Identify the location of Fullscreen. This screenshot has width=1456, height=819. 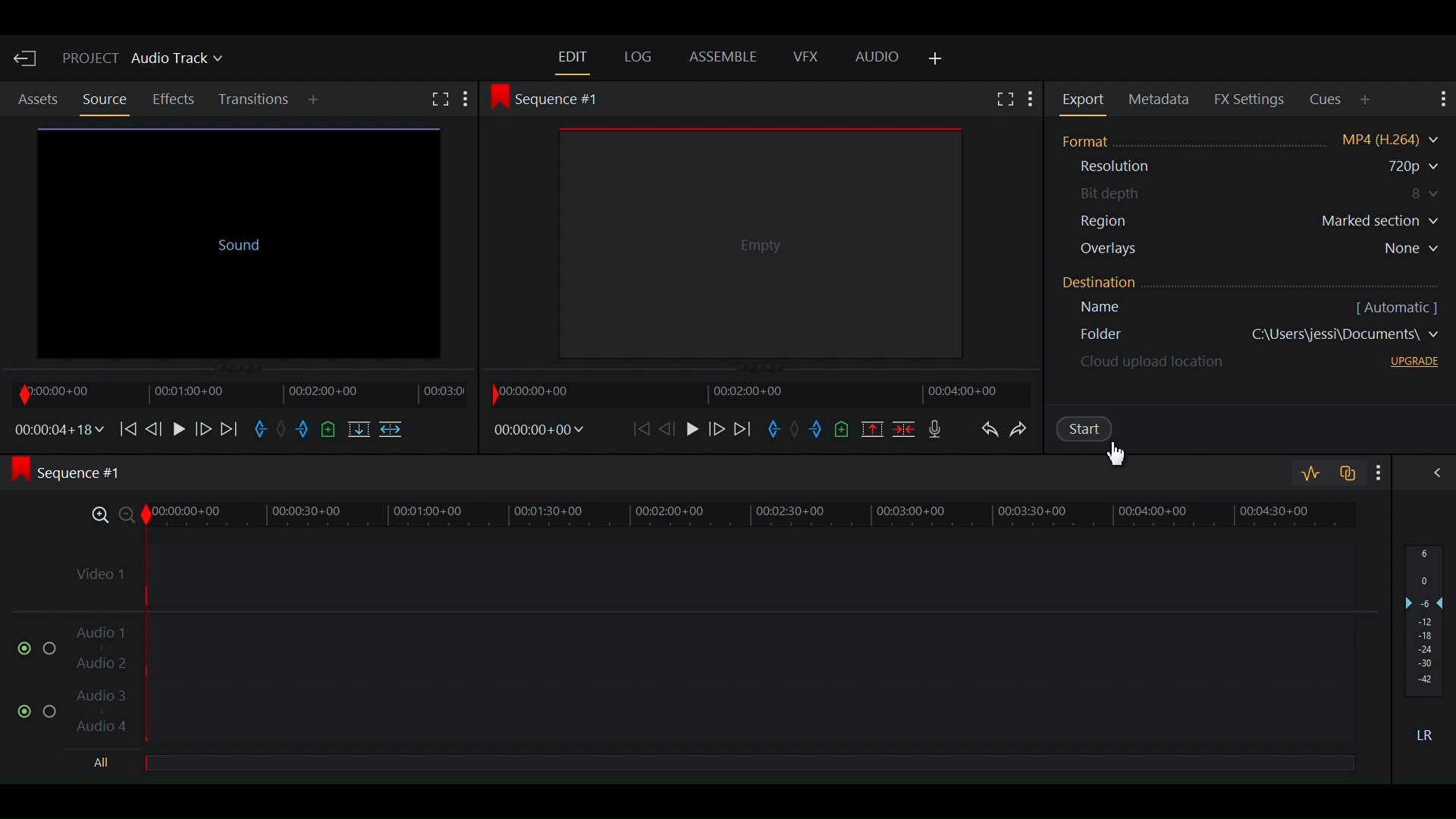
(1003, 99).